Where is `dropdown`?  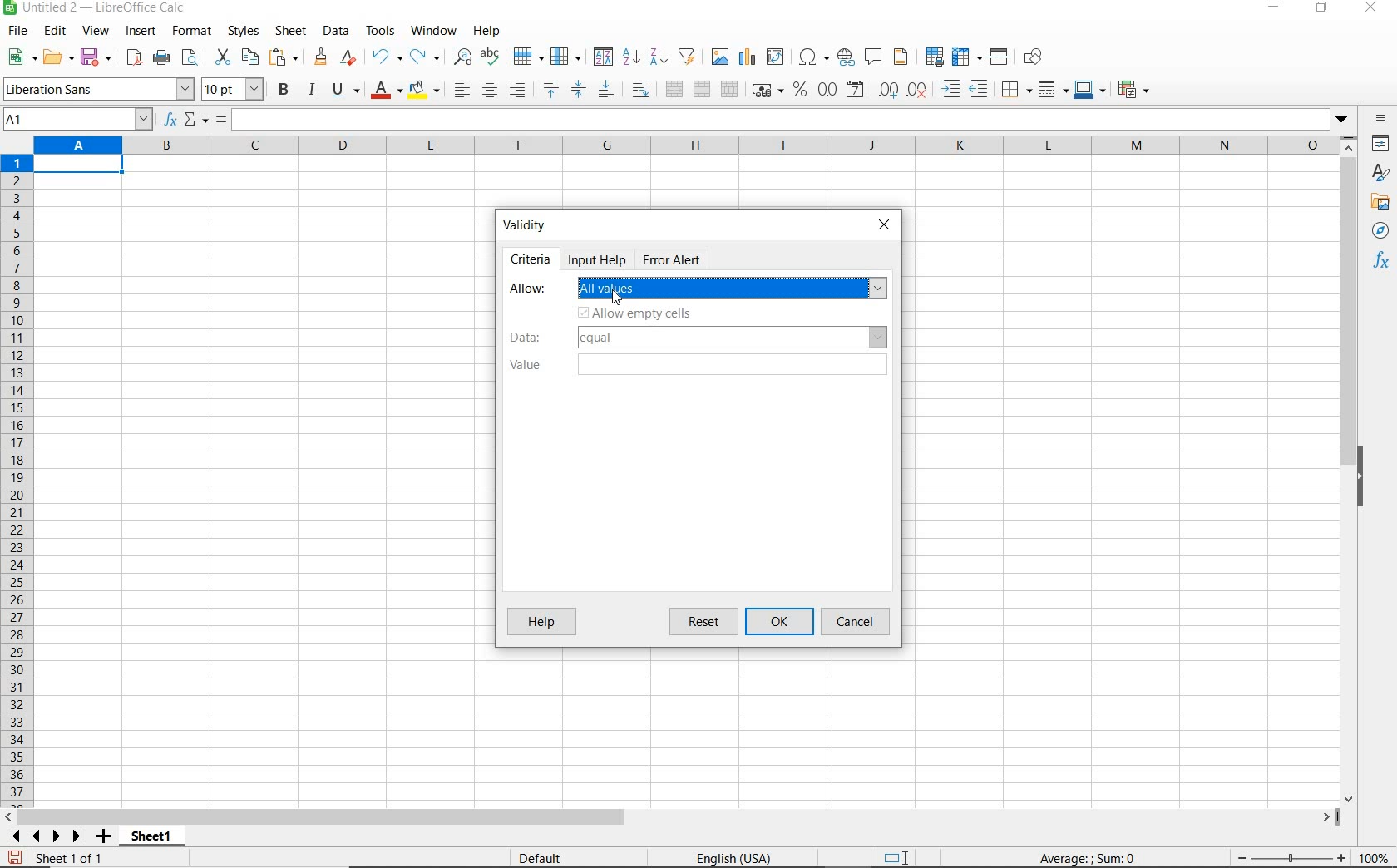 dropdown is located at coordinates (1343, 121).